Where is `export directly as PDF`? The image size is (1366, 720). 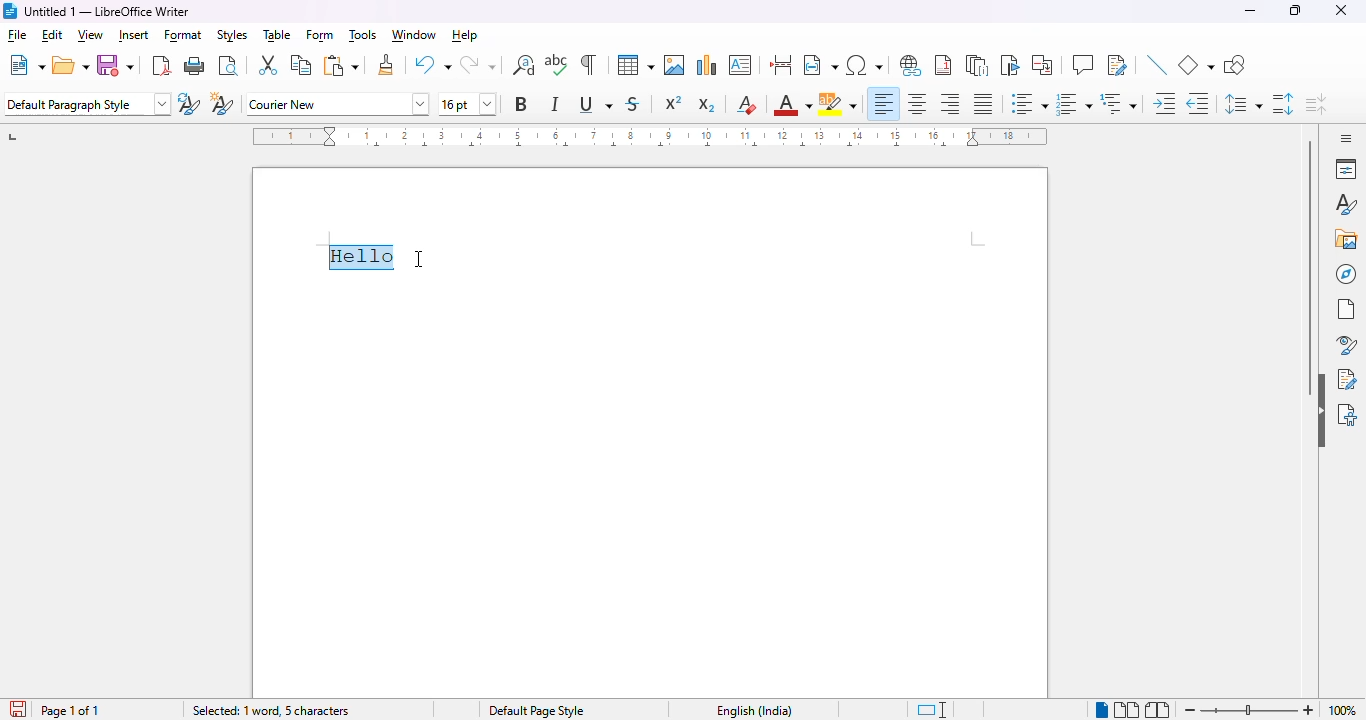
export directly as PDF is located at coordinates (162, 65).